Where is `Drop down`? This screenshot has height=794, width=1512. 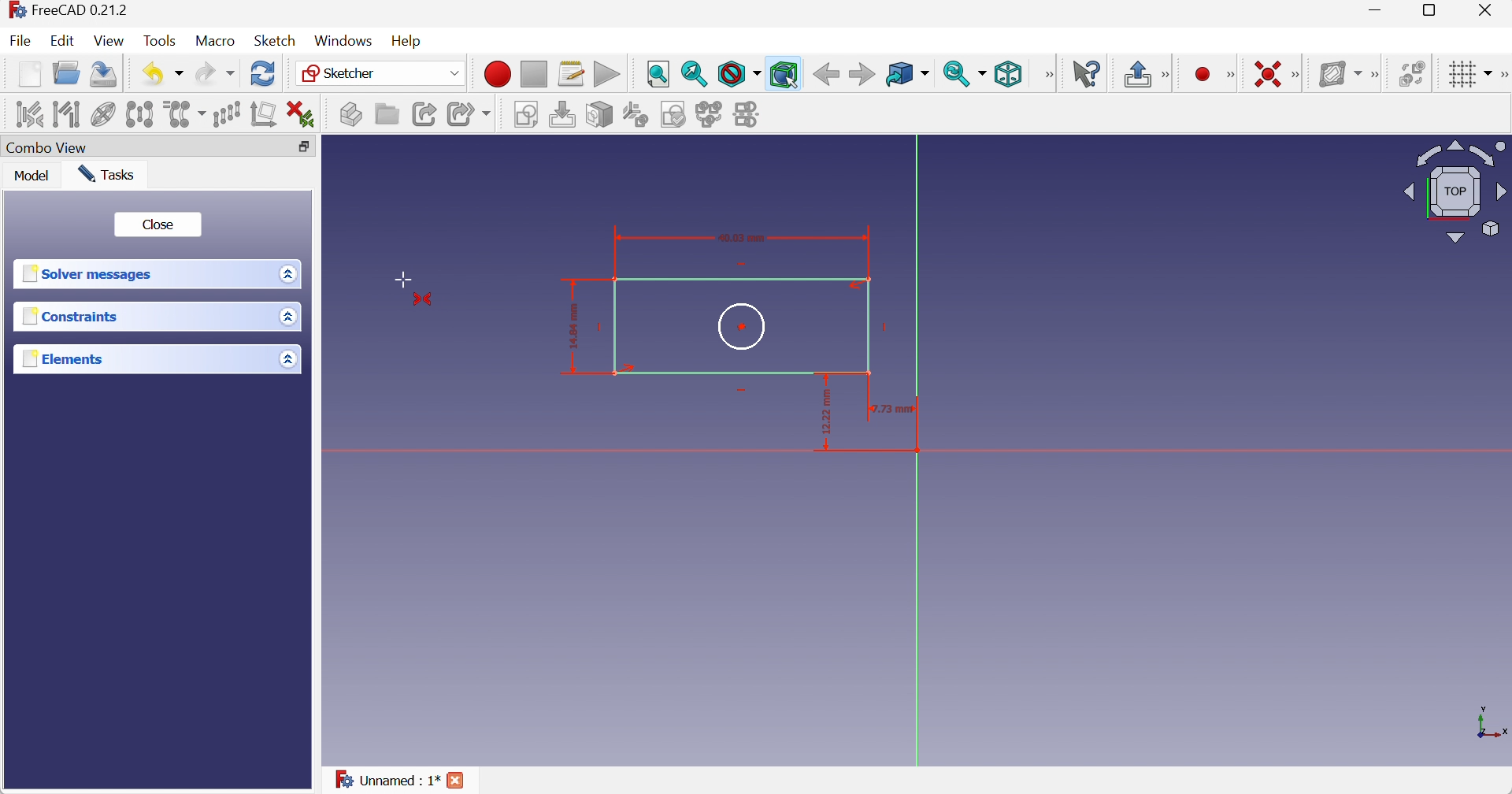
Drop down is located at coordinates (291, 273).